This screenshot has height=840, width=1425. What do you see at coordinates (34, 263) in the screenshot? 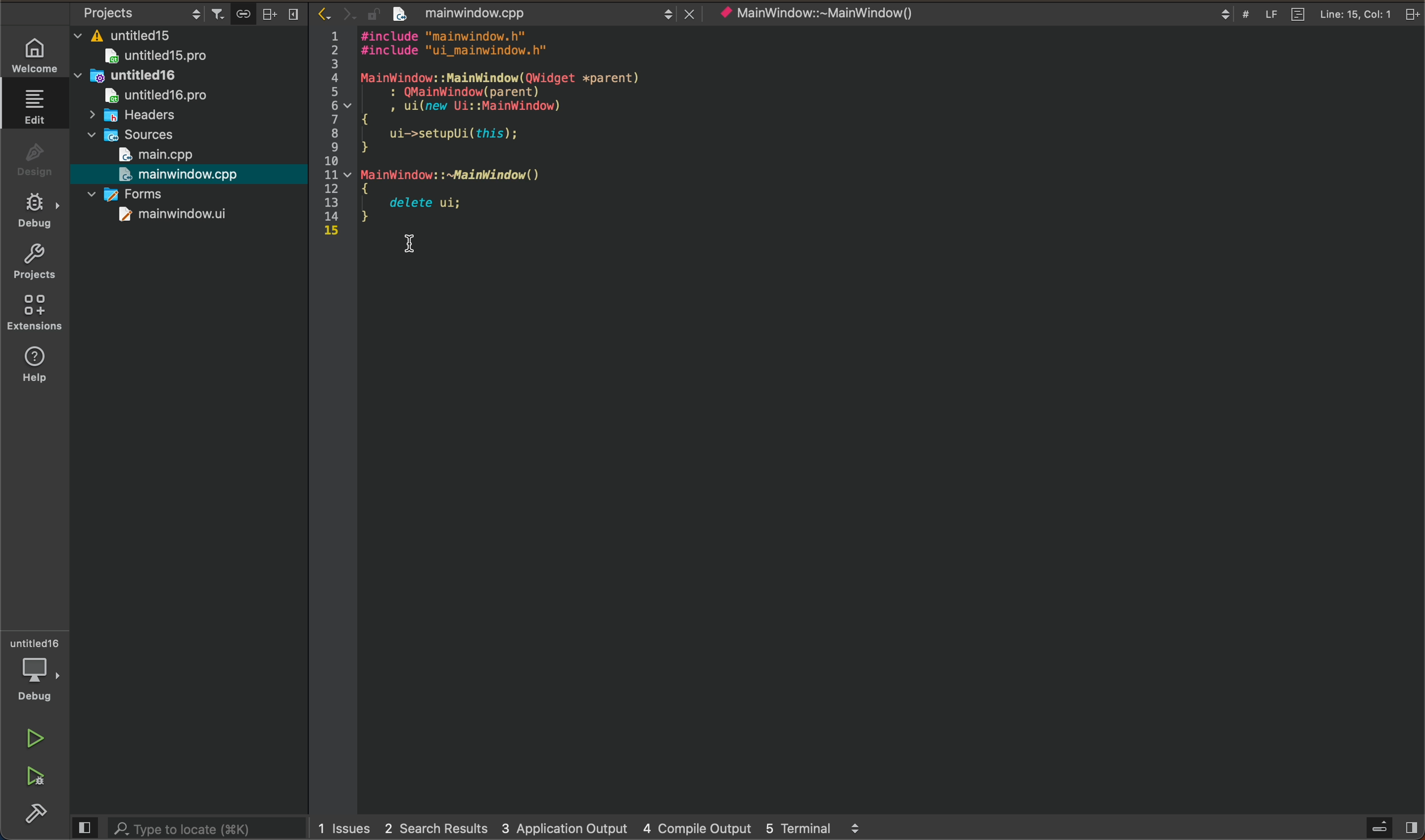
I see `projects` at bounding box center [34, 263].